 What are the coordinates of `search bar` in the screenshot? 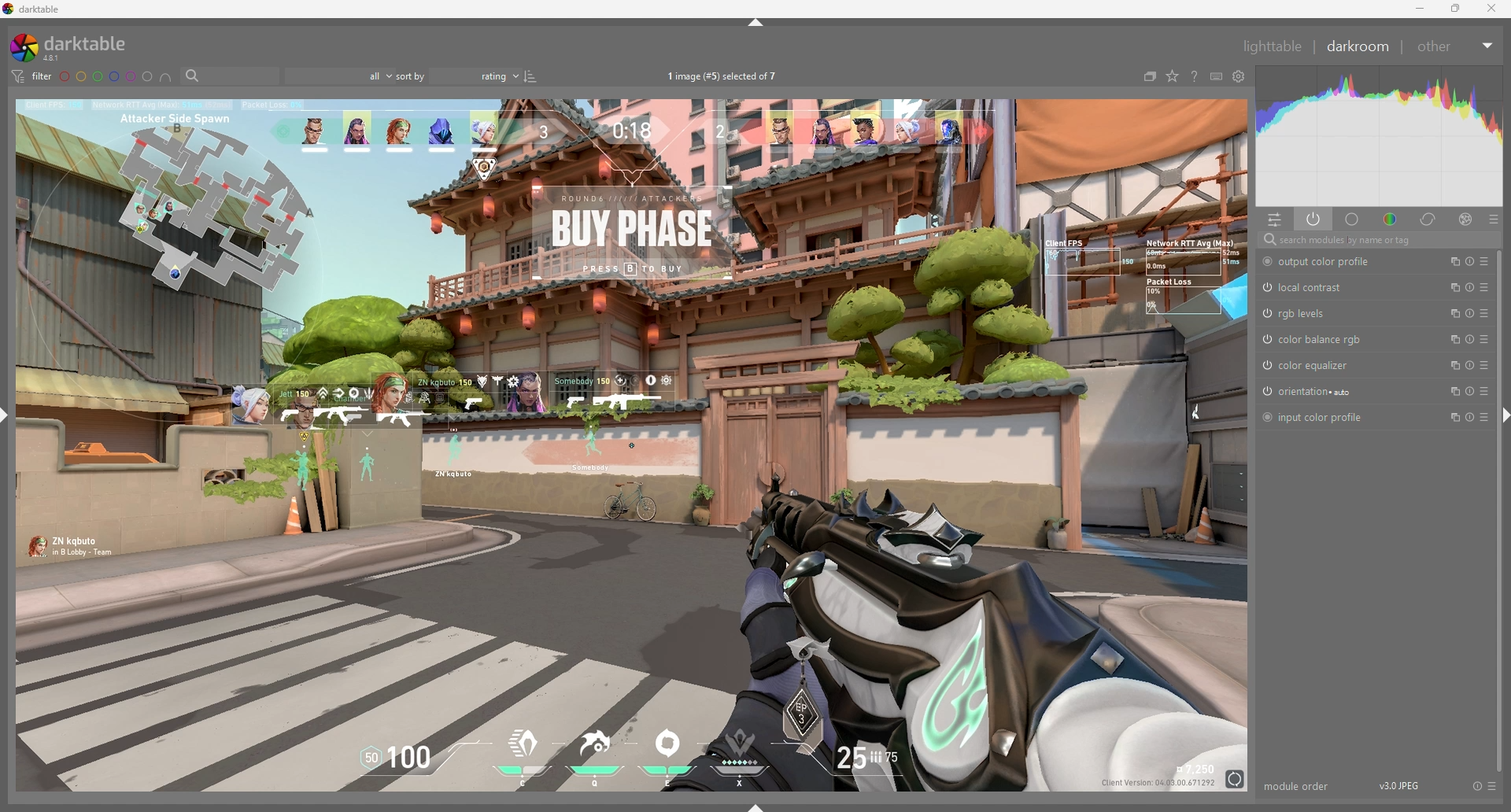 It's located at (230, 76).